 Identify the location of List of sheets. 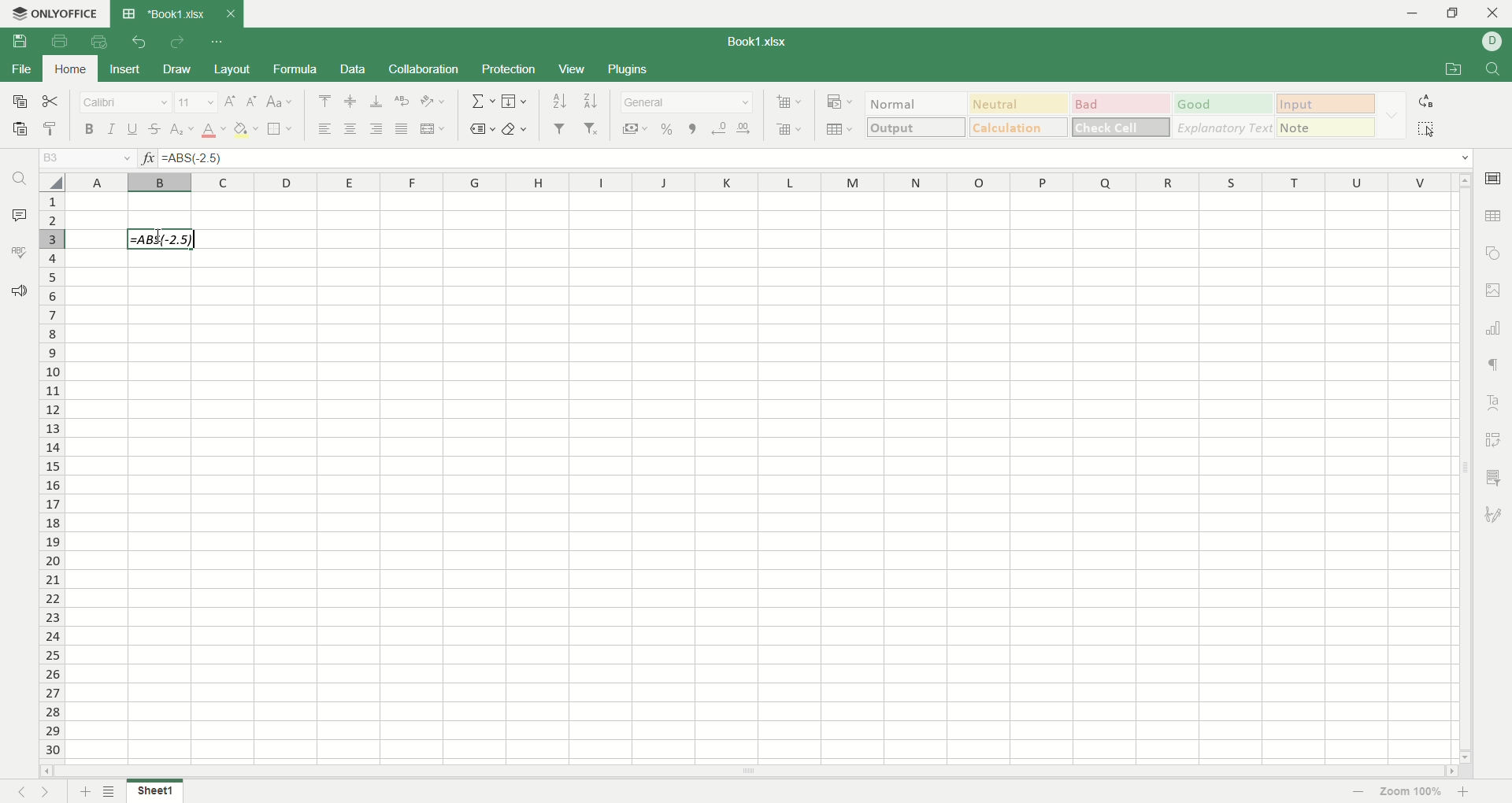
(110, 791).